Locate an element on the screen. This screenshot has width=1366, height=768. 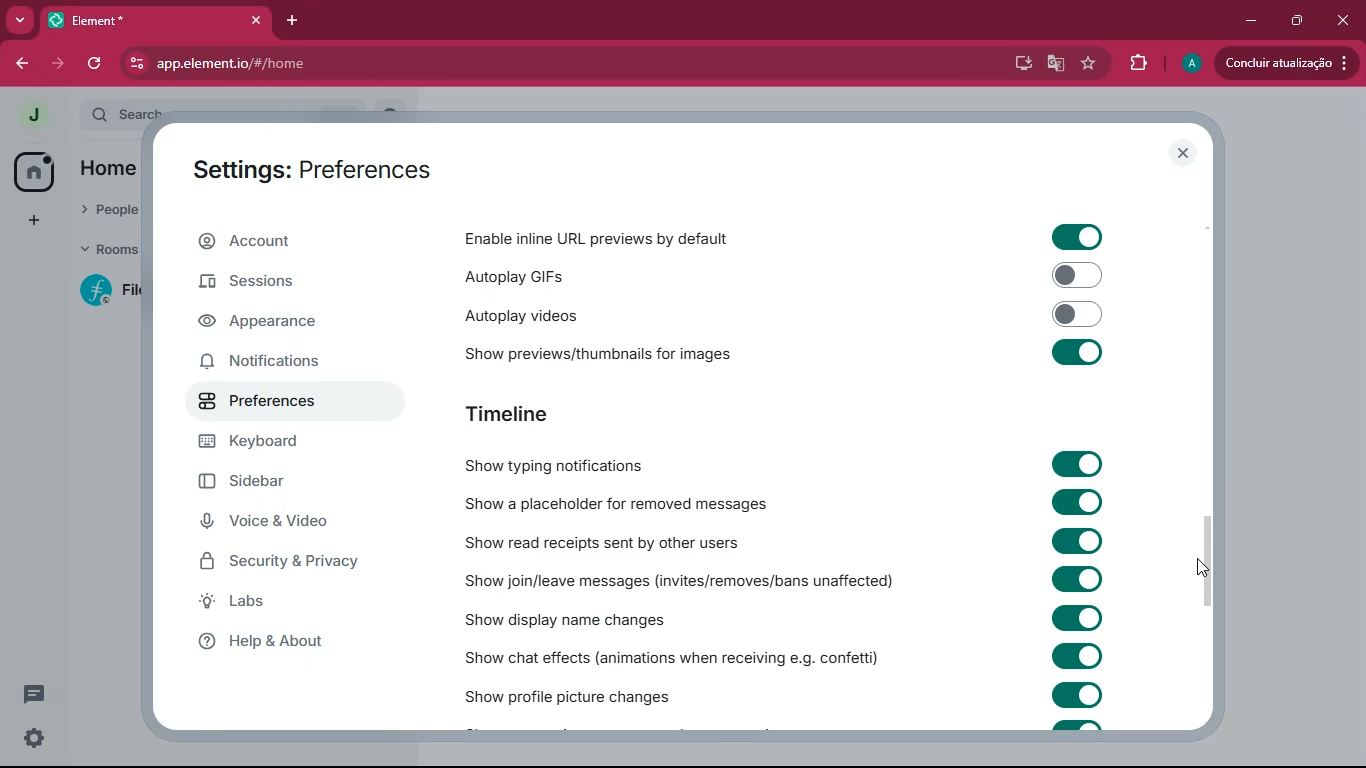
search is located at coordinates (120, 114).